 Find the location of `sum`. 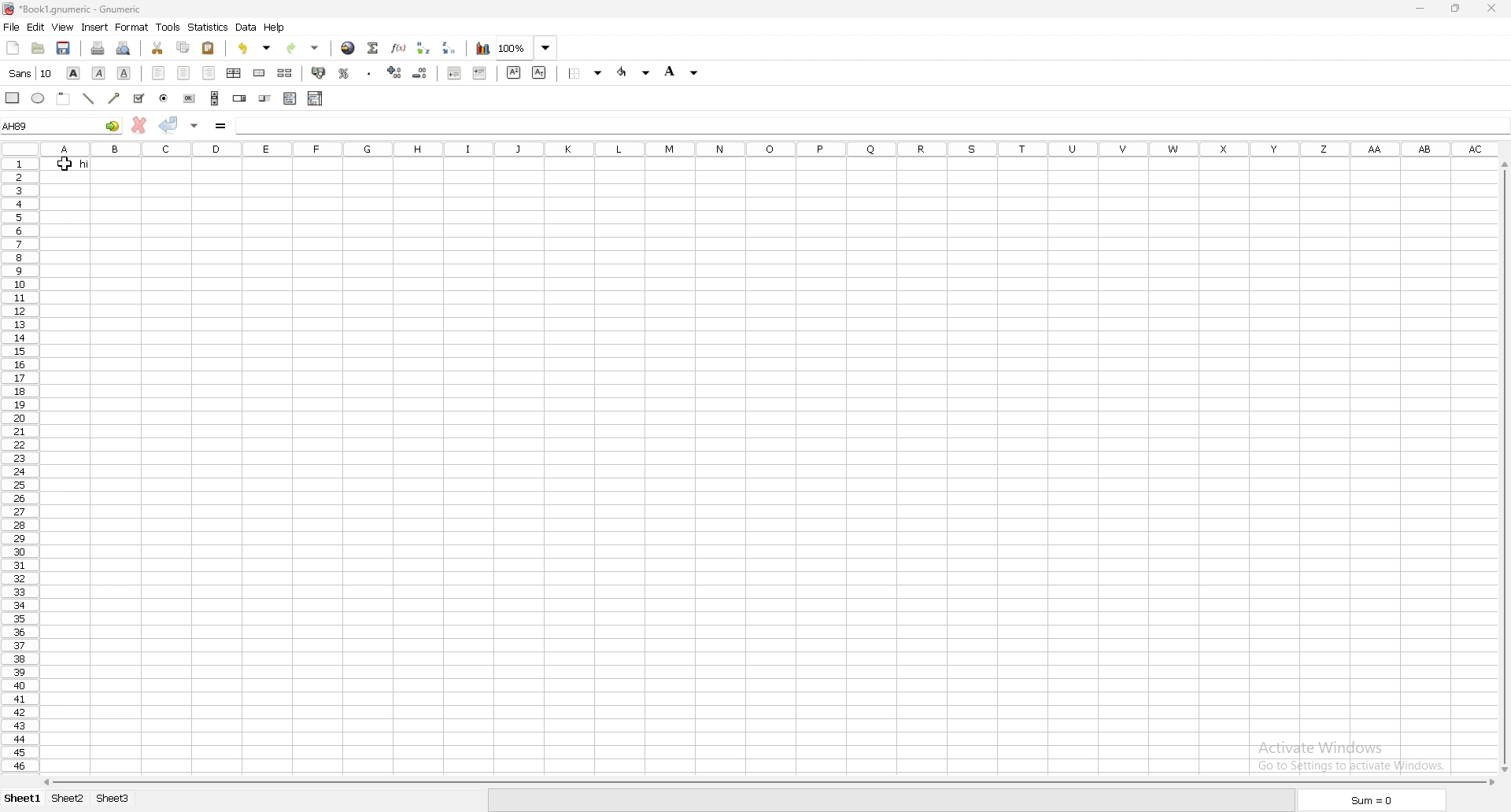

sum is located at coordinates (1369, 800).